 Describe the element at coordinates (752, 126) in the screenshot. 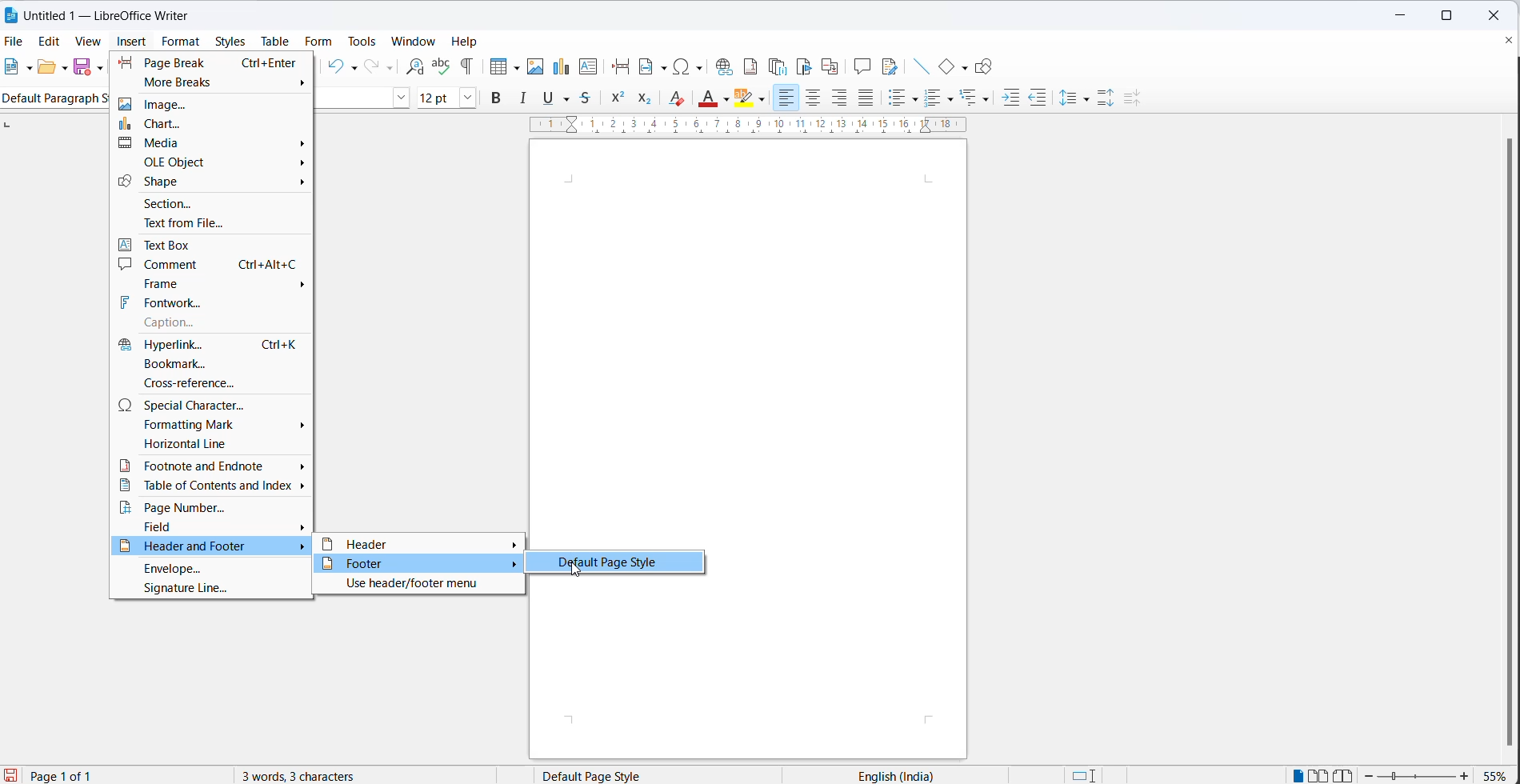

I see `scaling` at that location.